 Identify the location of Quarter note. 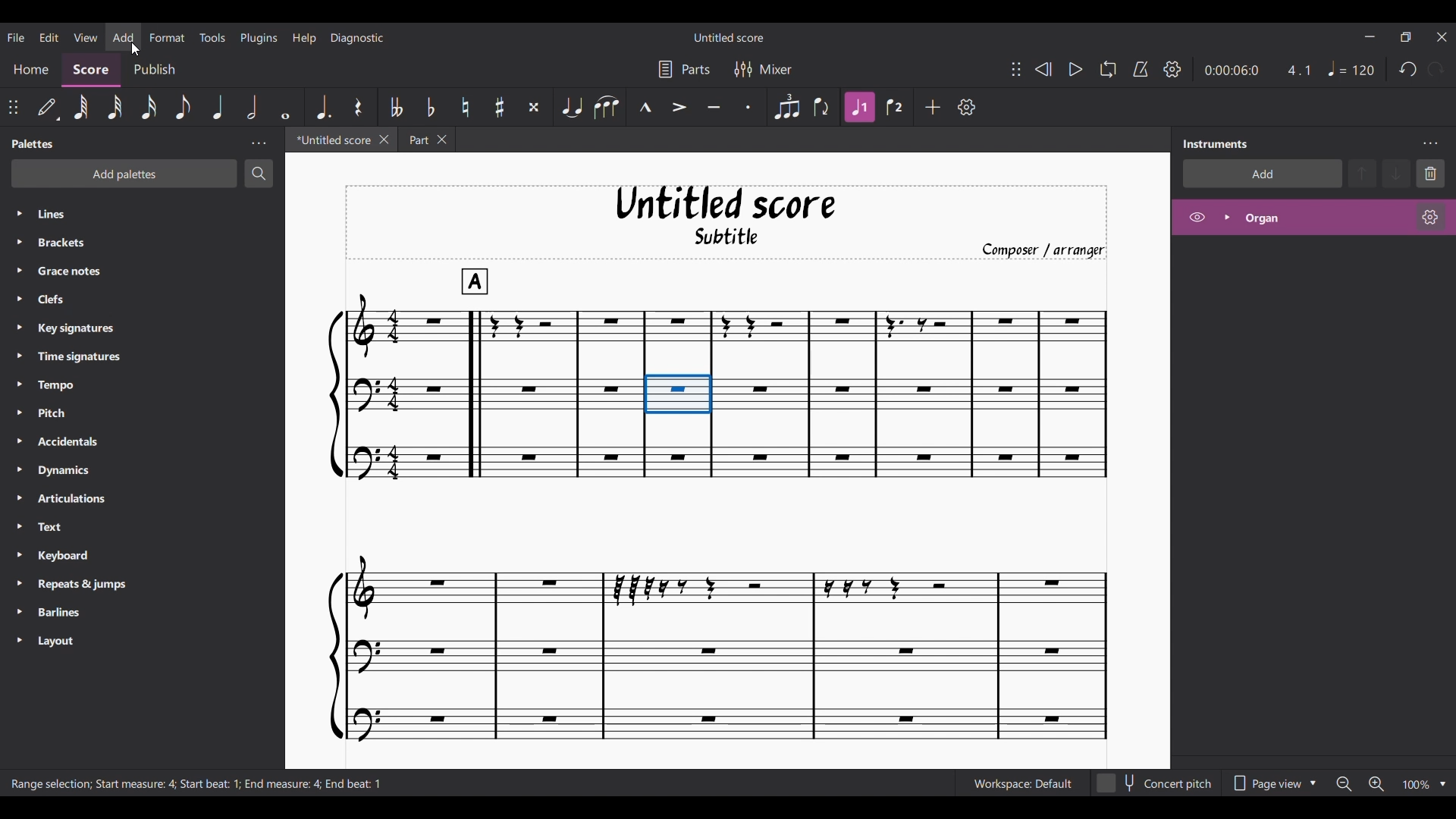
(1351, 68).